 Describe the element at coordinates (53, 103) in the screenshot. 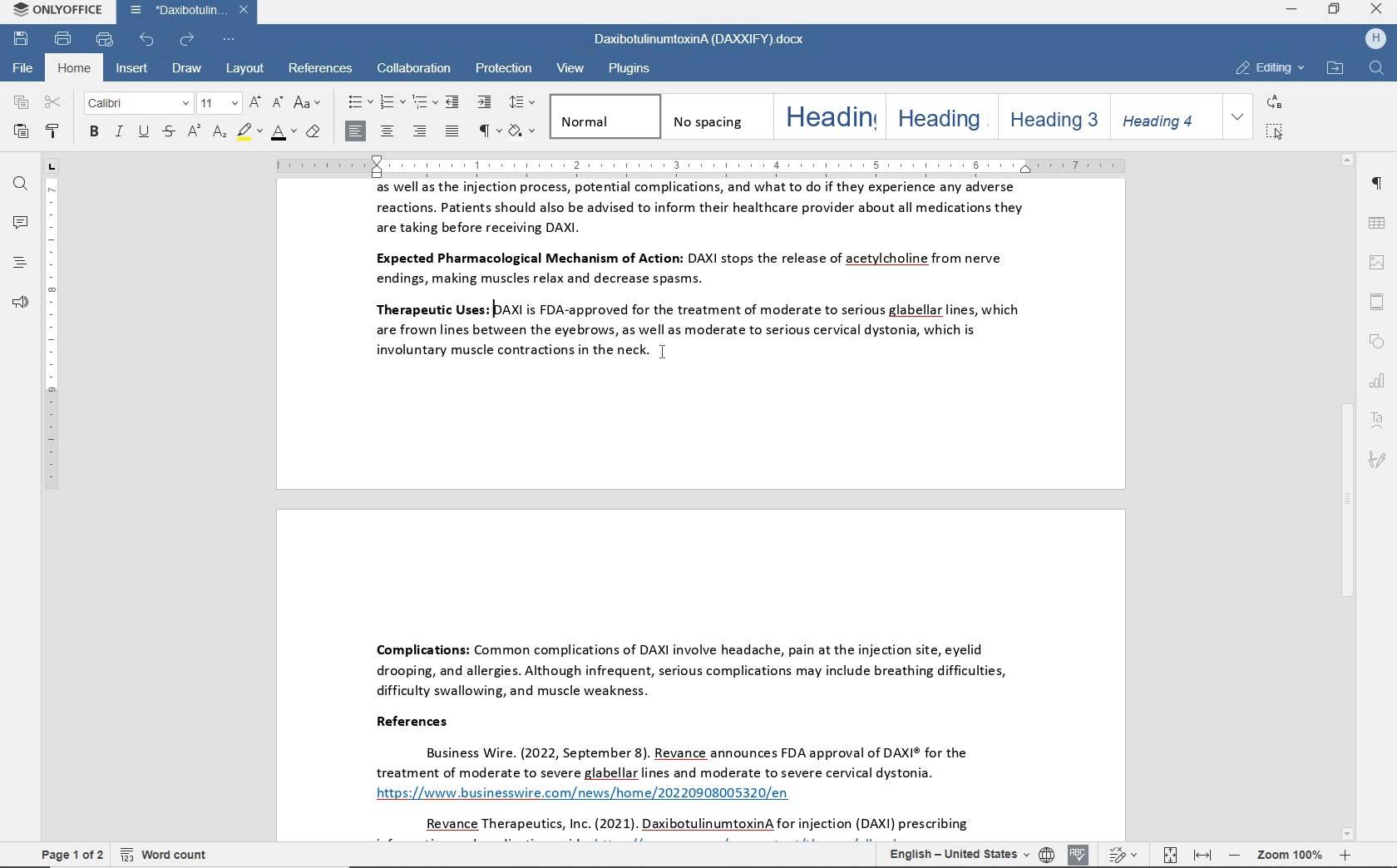

I see `cut` at that location.